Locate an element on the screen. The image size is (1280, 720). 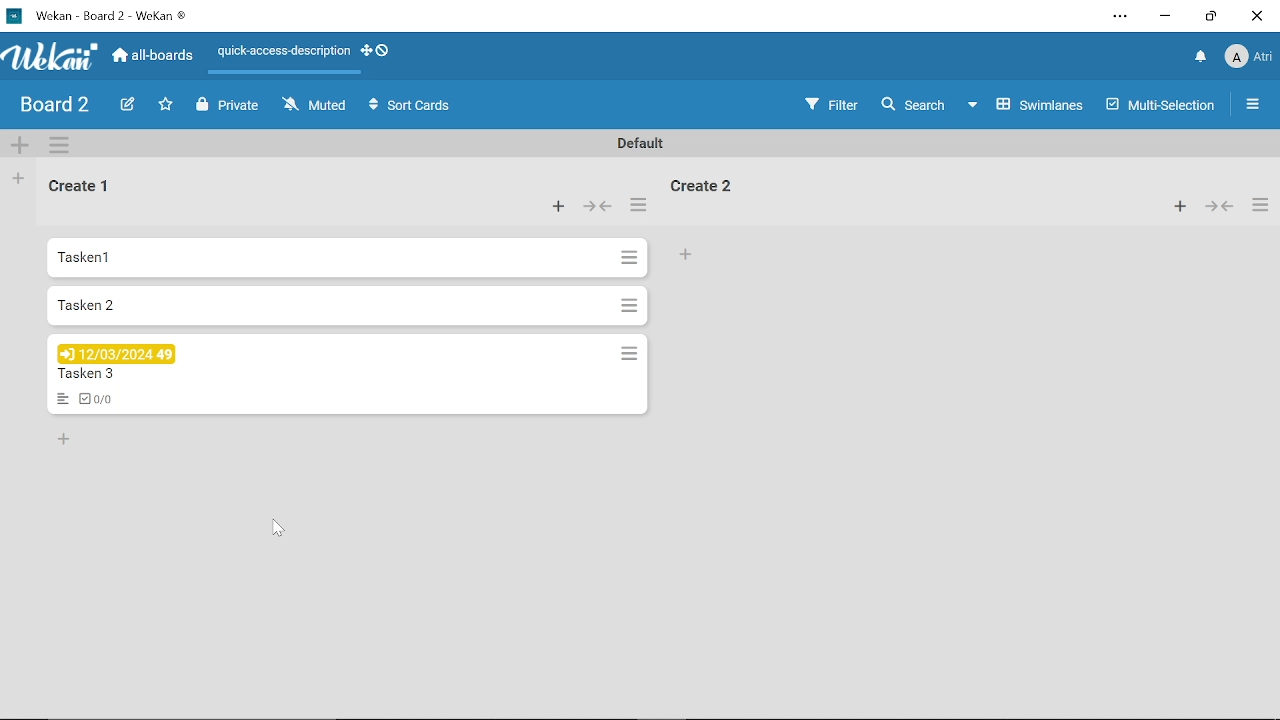
Back/Forward is located at coordinates (597, 205).